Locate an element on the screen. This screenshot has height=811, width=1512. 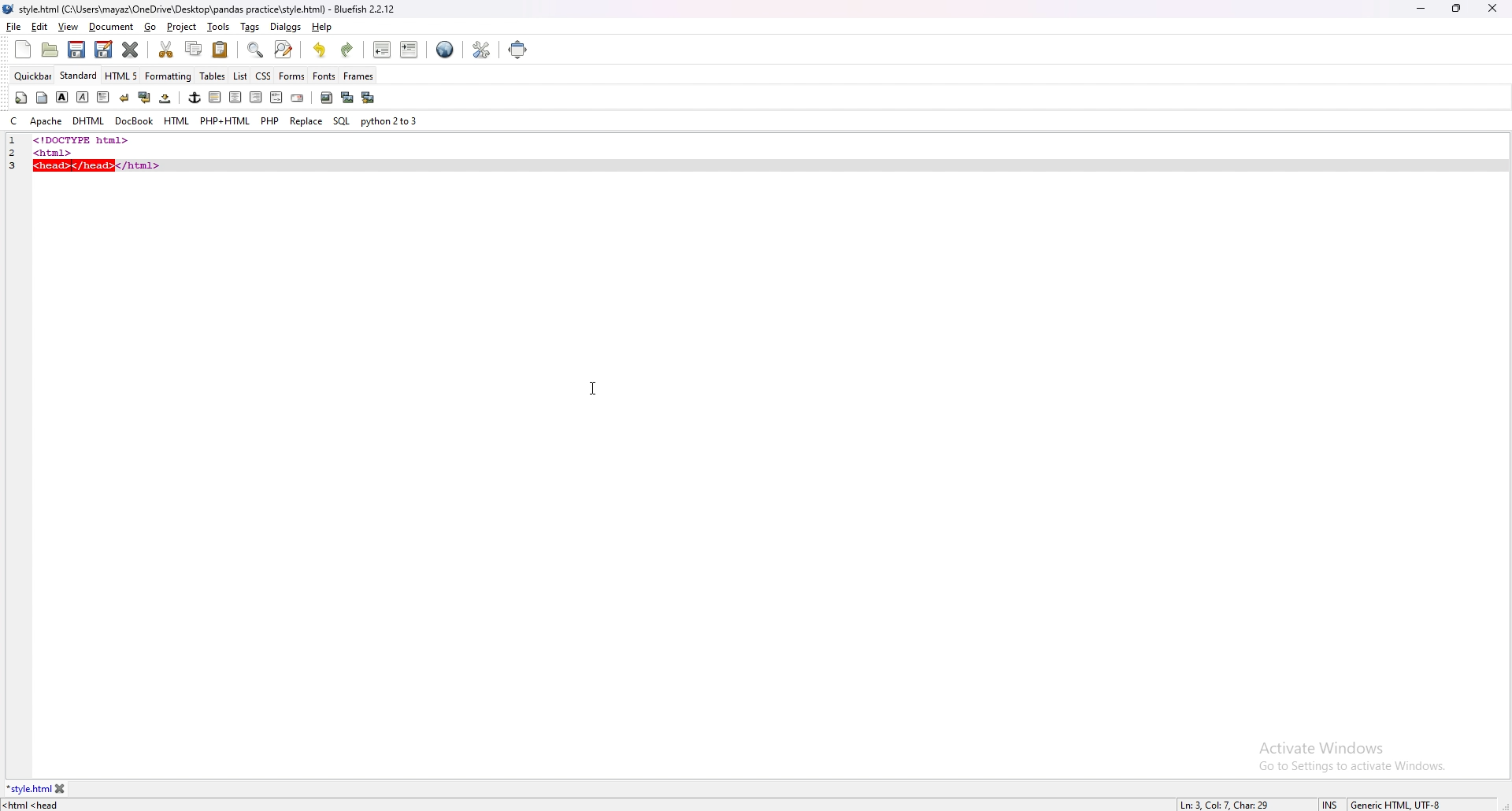
line number is located at coordinates (18, 152).